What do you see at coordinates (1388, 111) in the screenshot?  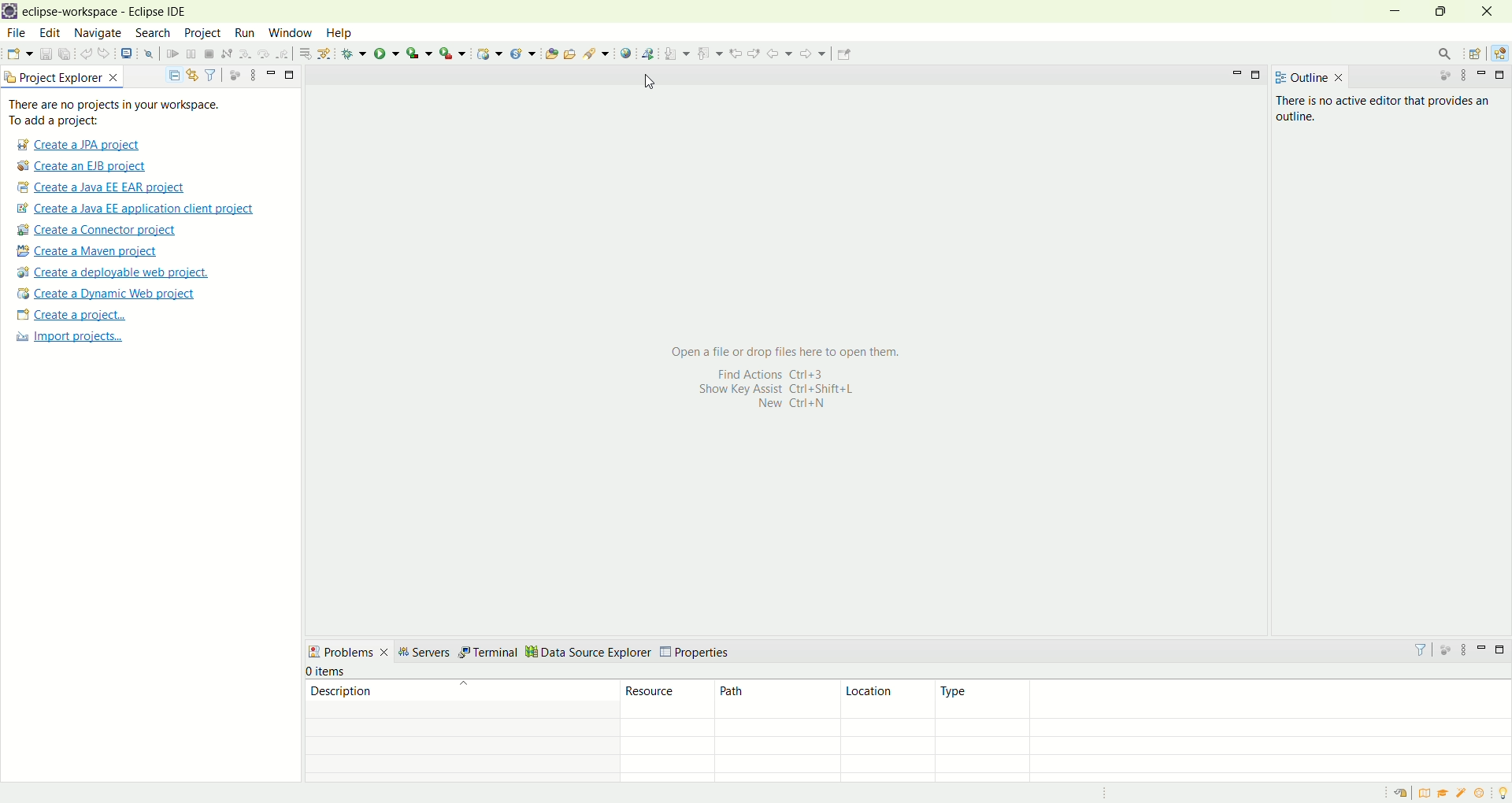 I see `There is no active editor that provides an outline` at bounding box center [1388, 111].